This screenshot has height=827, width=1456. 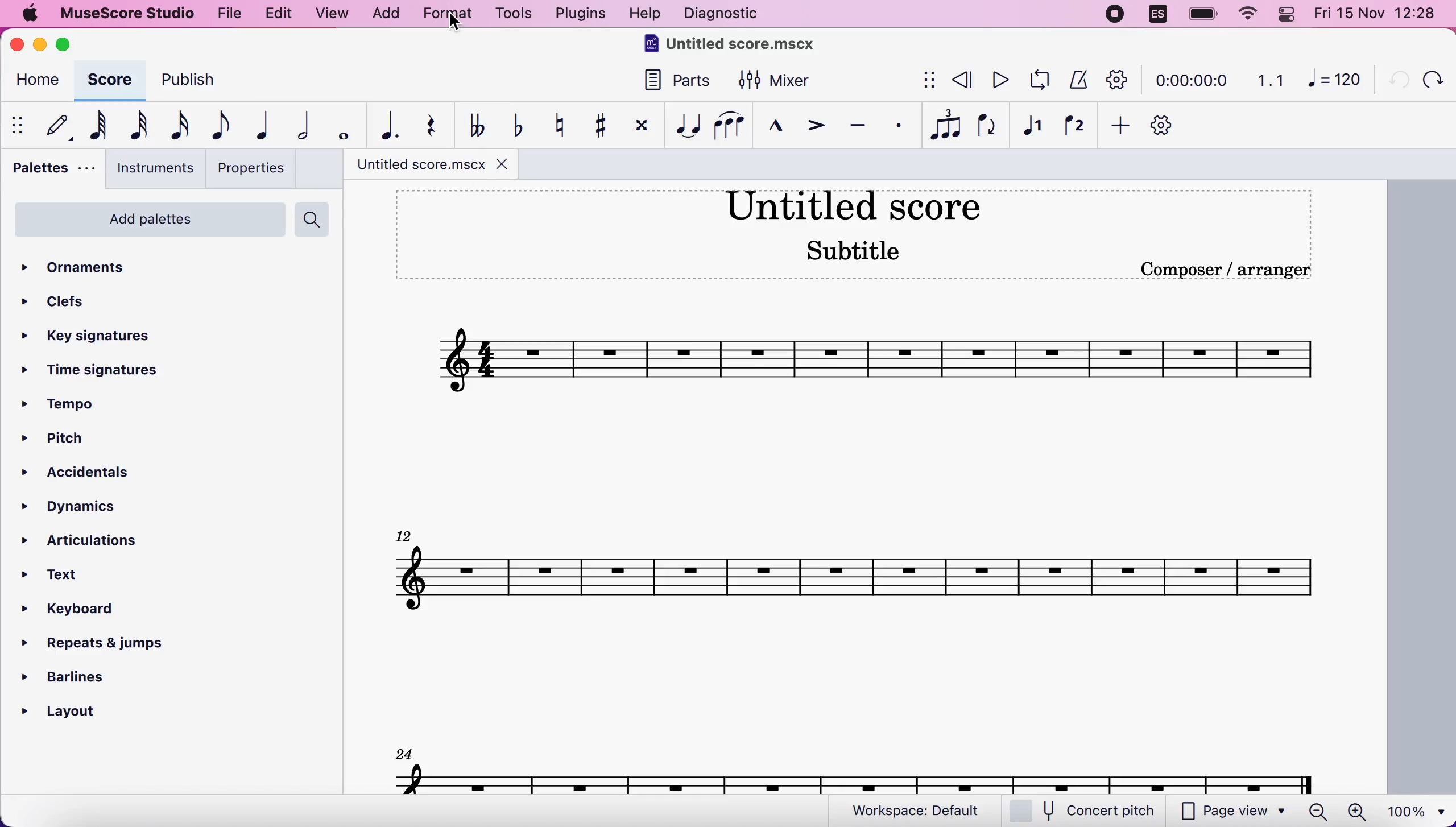 I want to click on redo, so click(x=1432, y=79).